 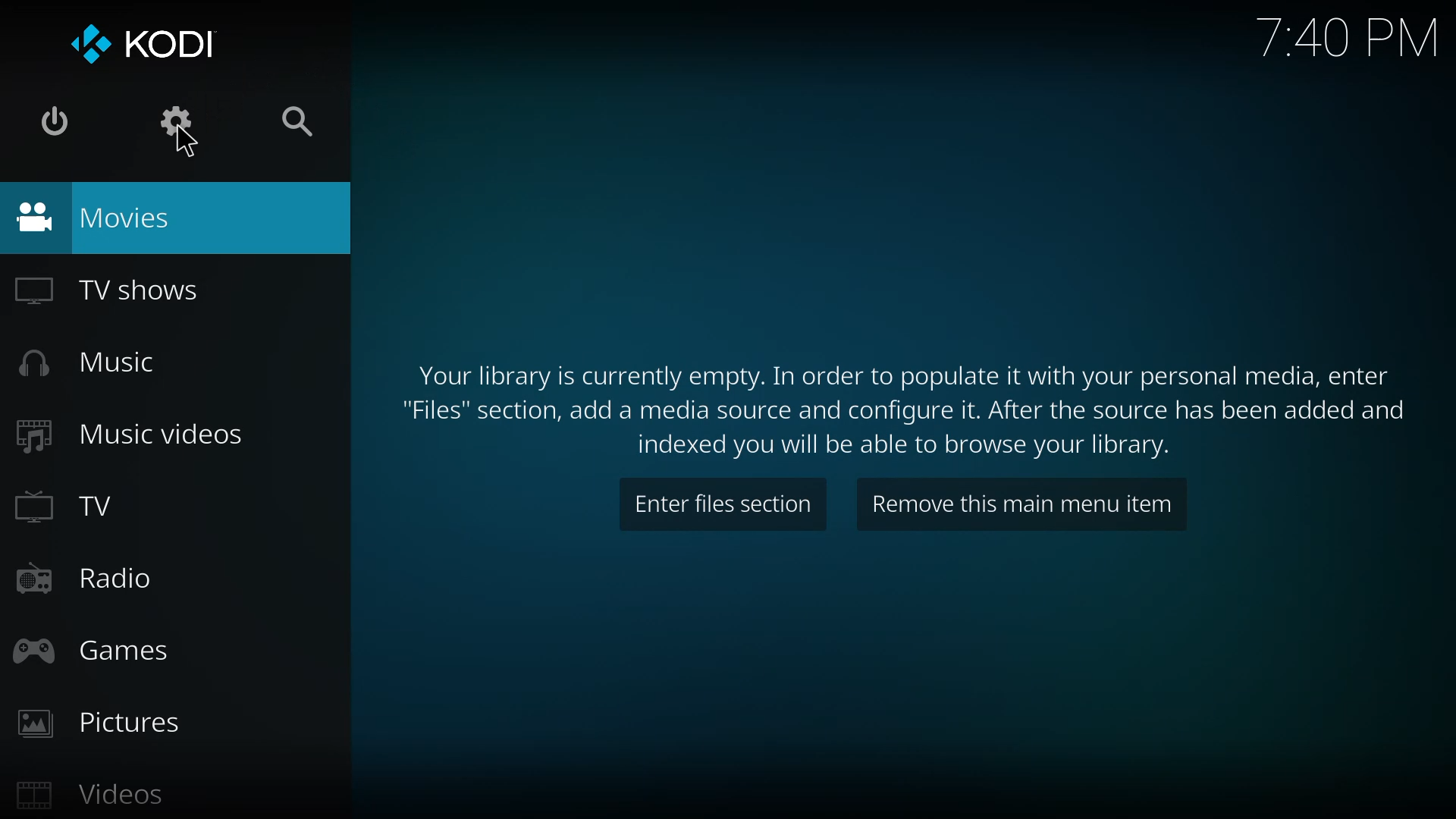 What do you see at coordinates (129, 434) in the screenshot?
I see `music videos` at bounding box center [129, 434].